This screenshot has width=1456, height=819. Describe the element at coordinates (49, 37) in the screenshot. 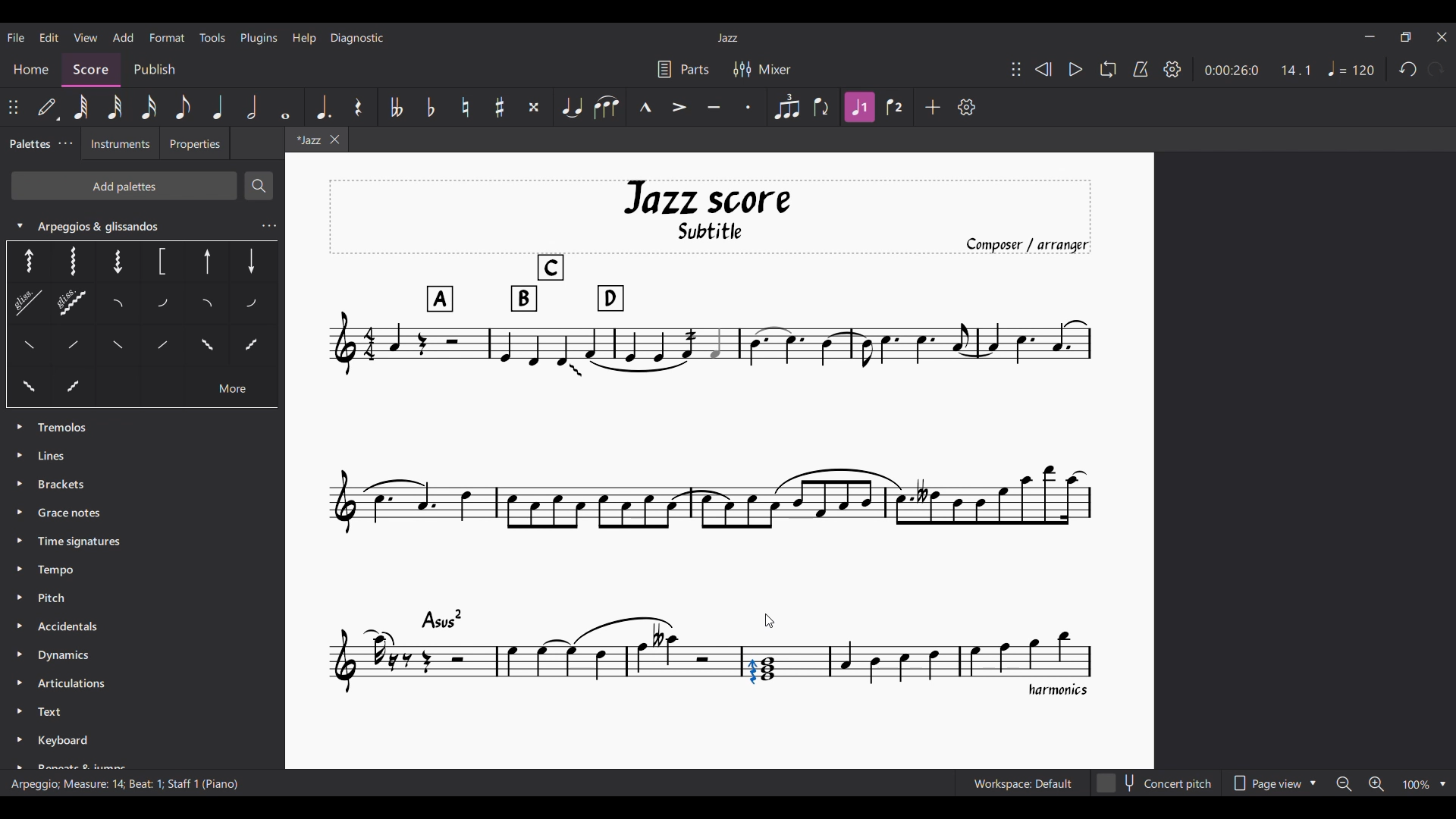

I see `Edit menu` at that location.